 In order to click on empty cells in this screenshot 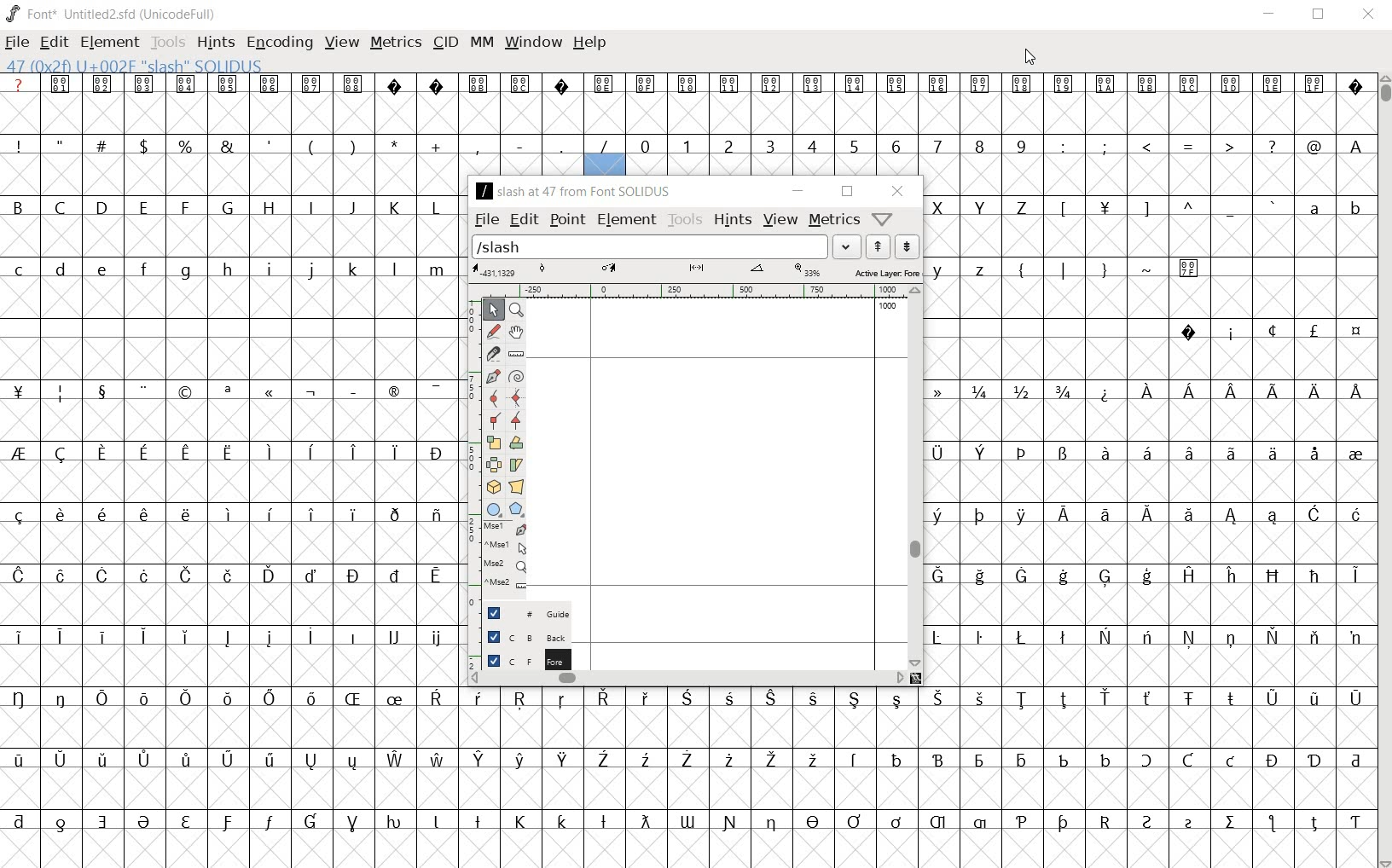, I will do `click(230, 176)`.